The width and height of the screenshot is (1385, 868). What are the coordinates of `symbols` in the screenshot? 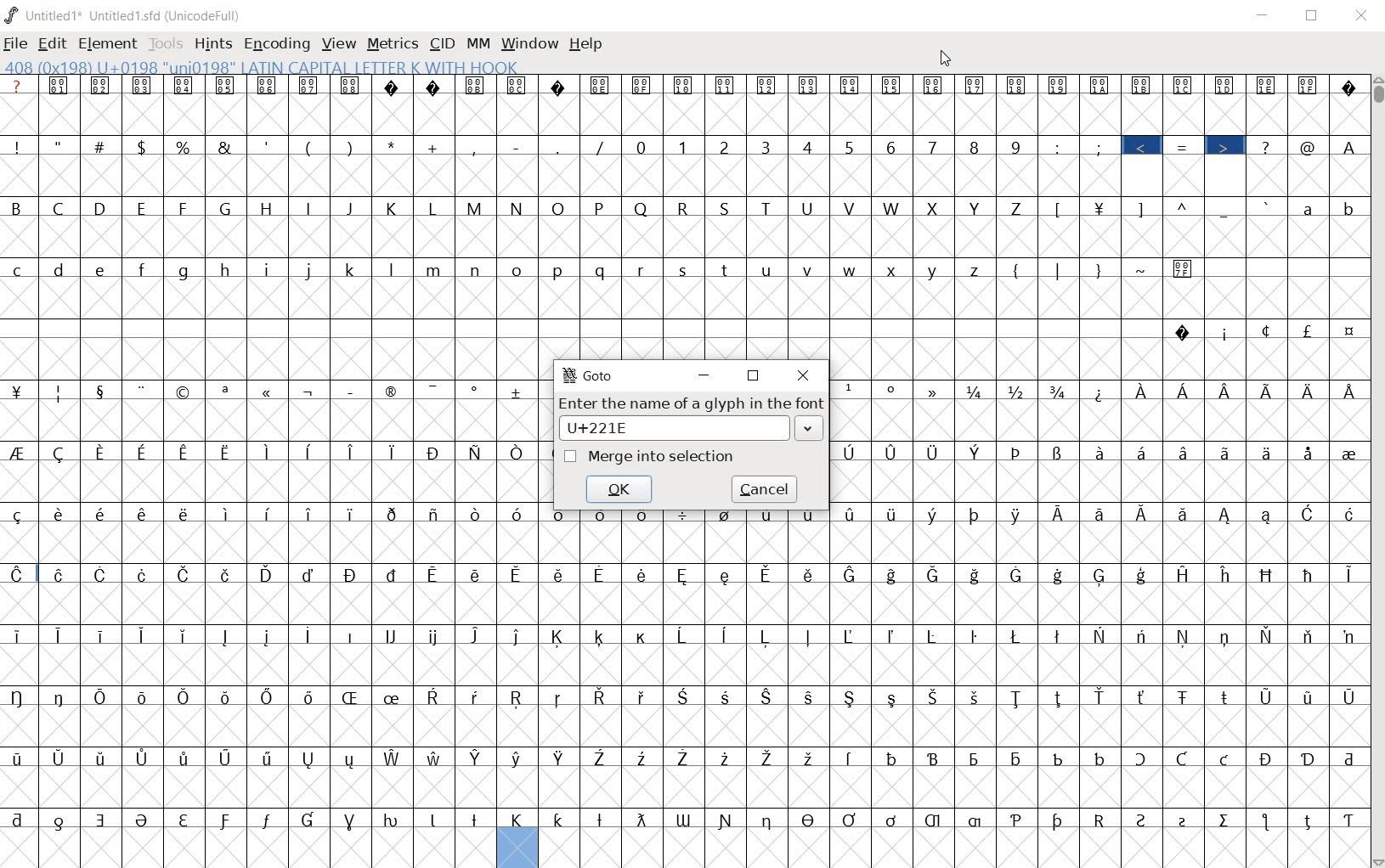 It's located at (892, 391).